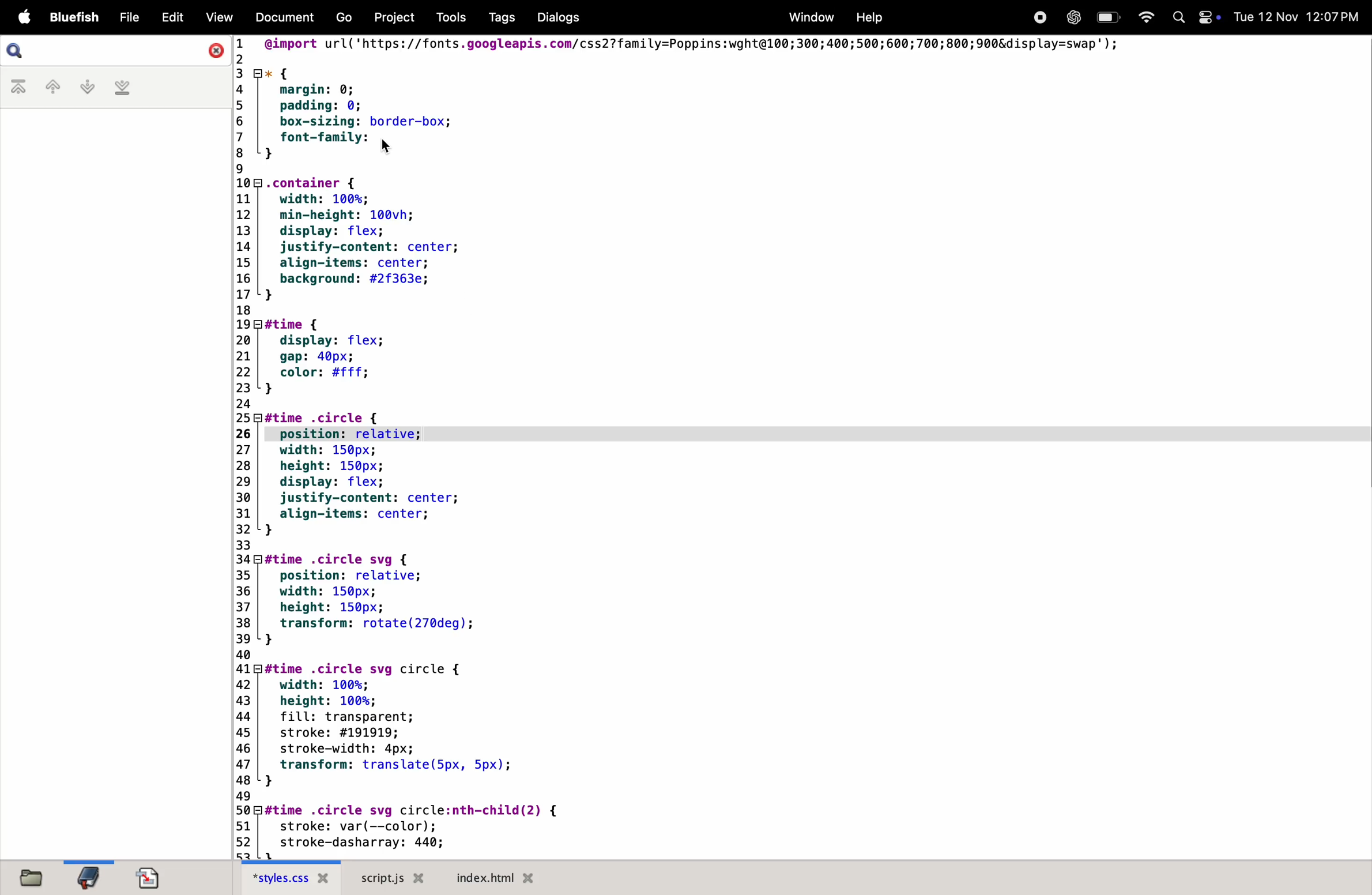  Describe the element at coordinates (866, 17) in the screenshot. I see `help` at that location.